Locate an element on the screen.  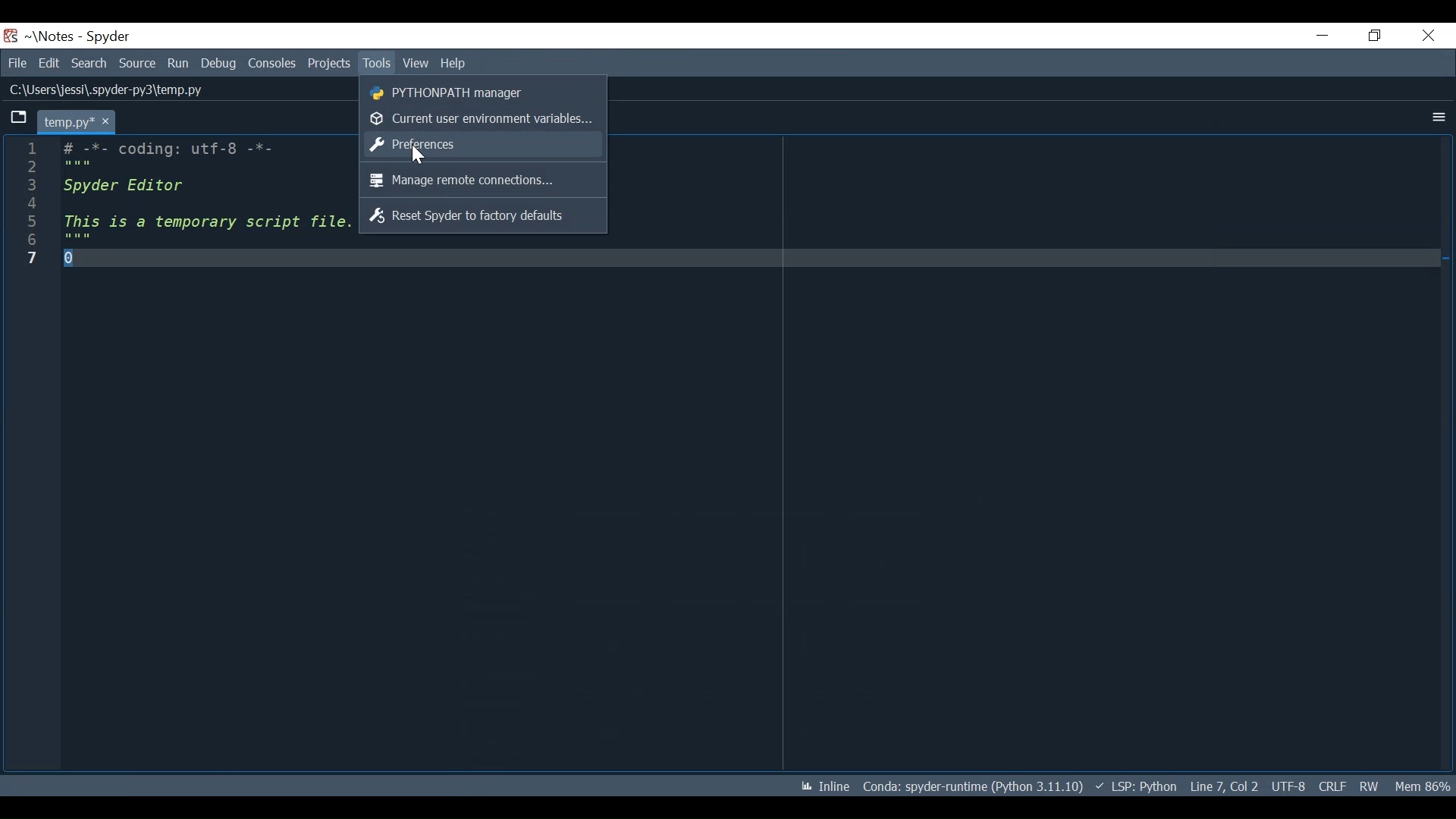
Debug is located at coordinates (218, 64).